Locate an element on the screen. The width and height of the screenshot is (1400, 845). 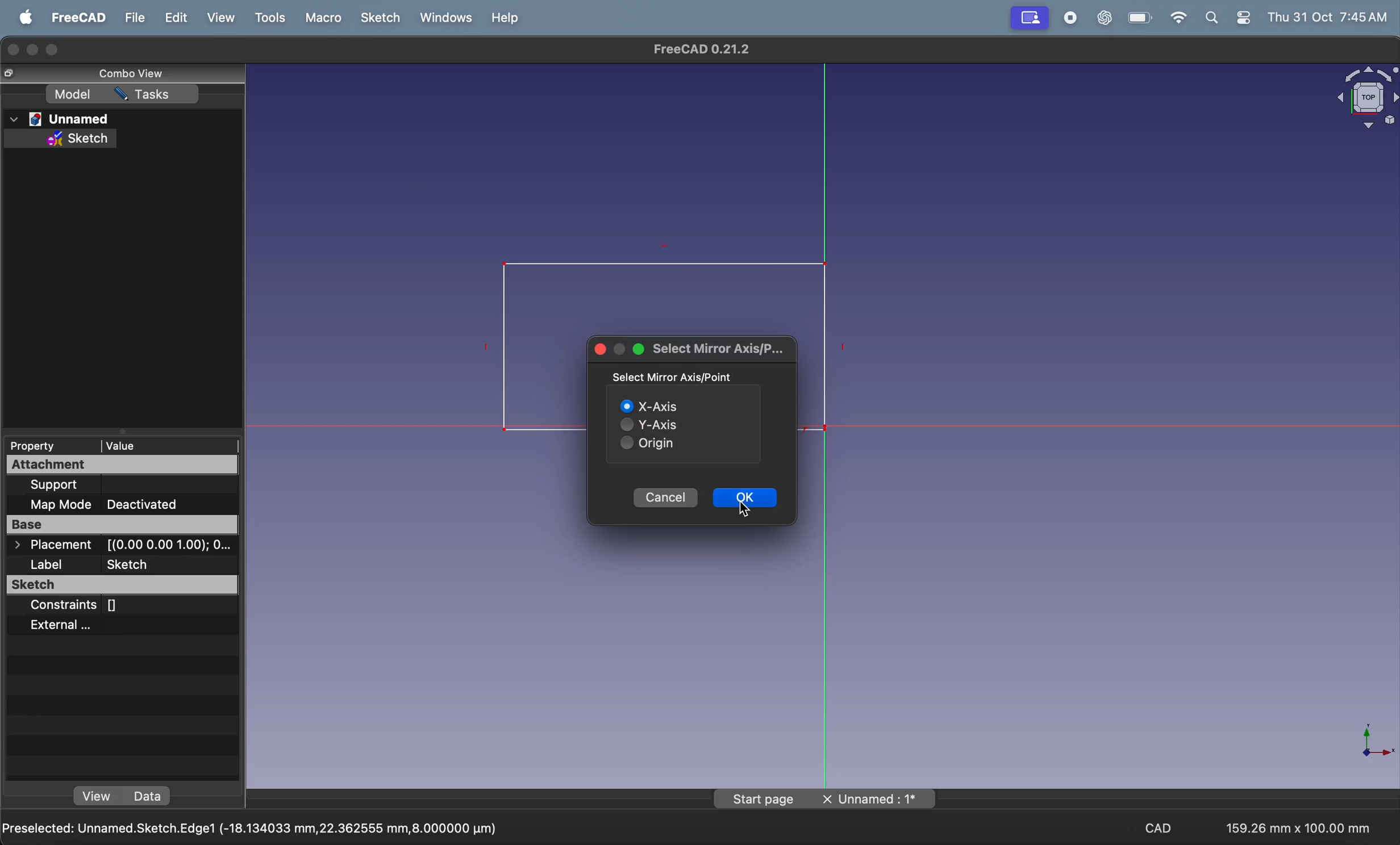
freecad is located at coordinates (80, 16).